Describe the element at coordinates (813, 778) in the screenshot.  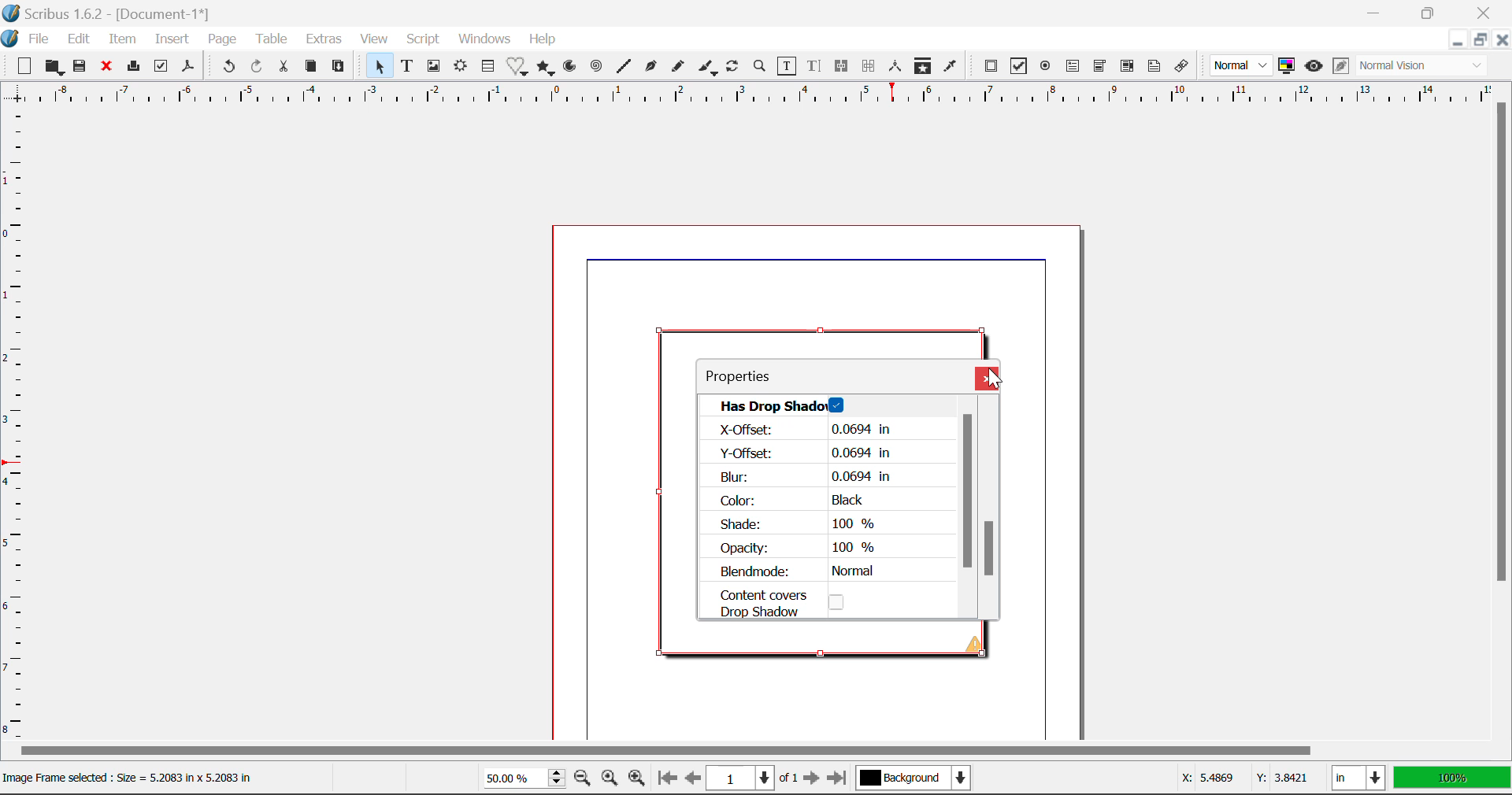
I see `Next page` at that location.